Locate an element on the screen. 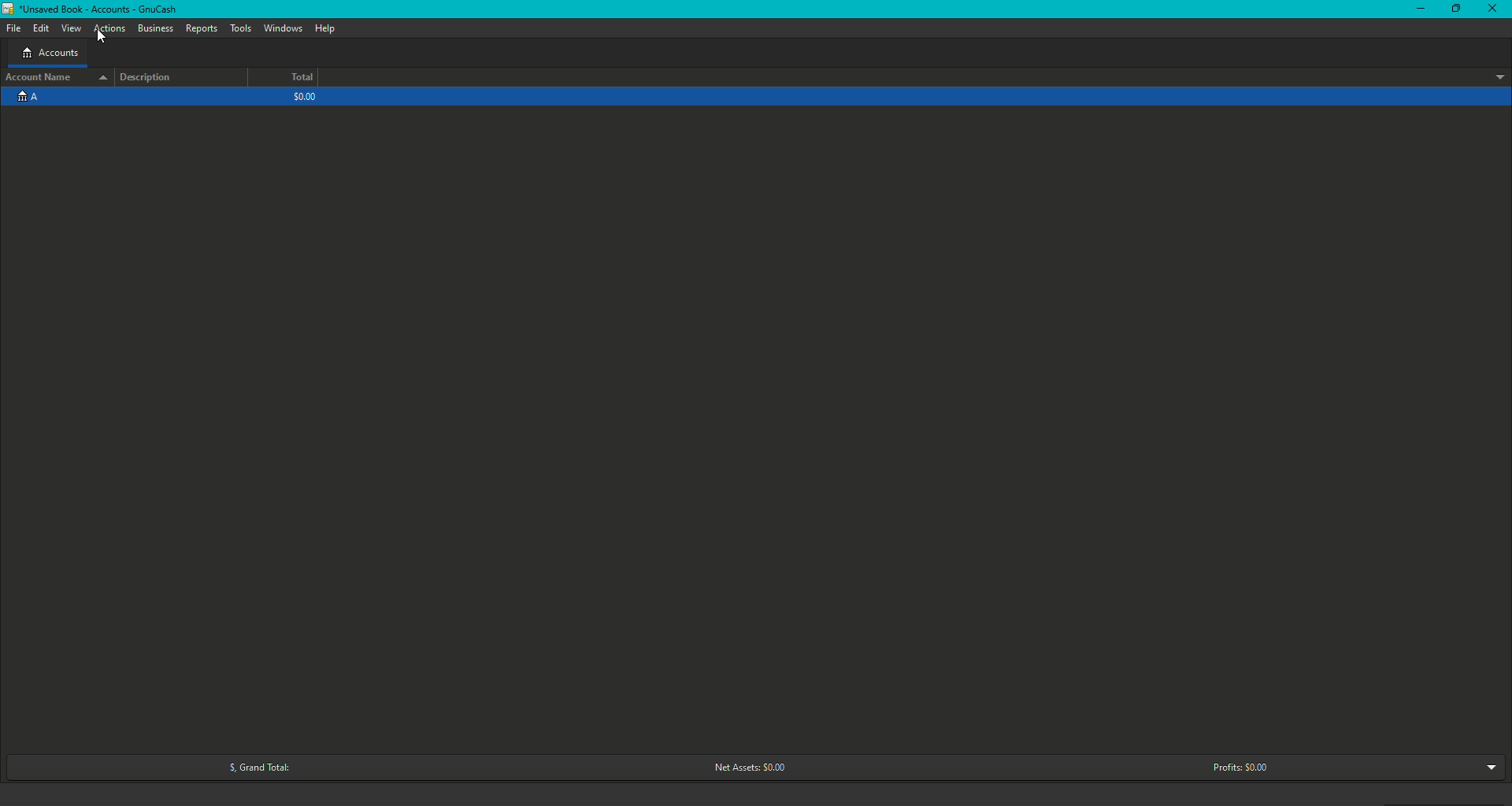 Image resolution: width=1512 pixels, height=806 pixels. File is located at coordinates (12, 28).